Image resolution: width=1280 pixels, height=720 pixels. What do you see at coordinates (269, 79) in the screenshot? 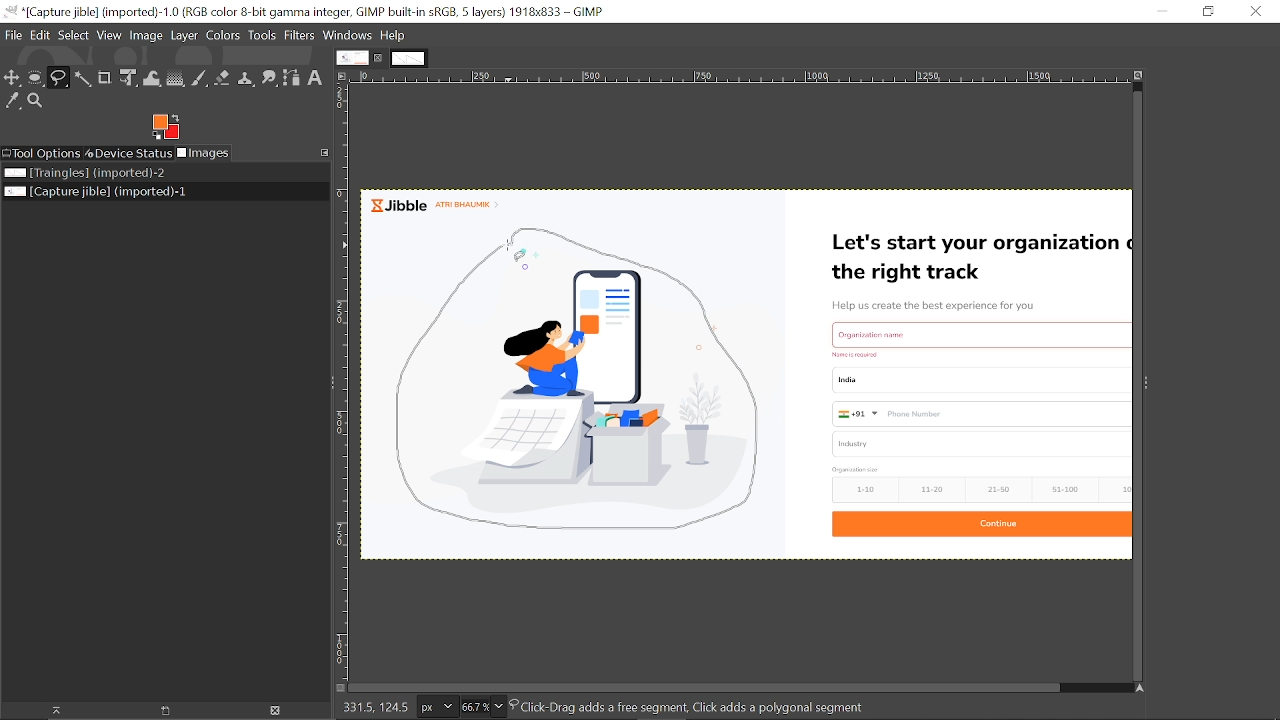
I see `Smudge tool` at bounding box center [269, 79].